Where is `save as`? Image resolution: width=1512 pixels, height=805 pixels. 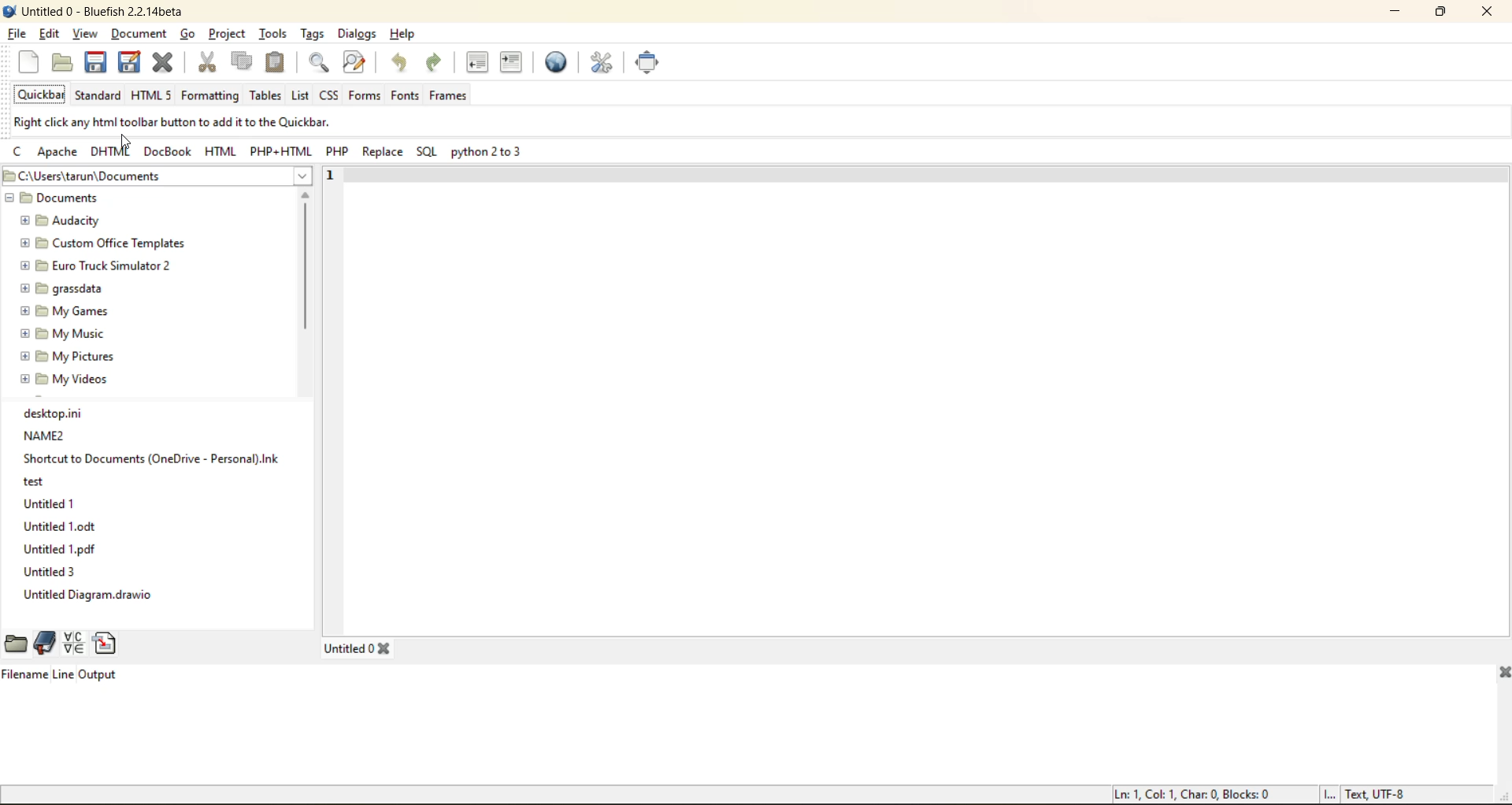
save as is located at coordinates (131, 63).